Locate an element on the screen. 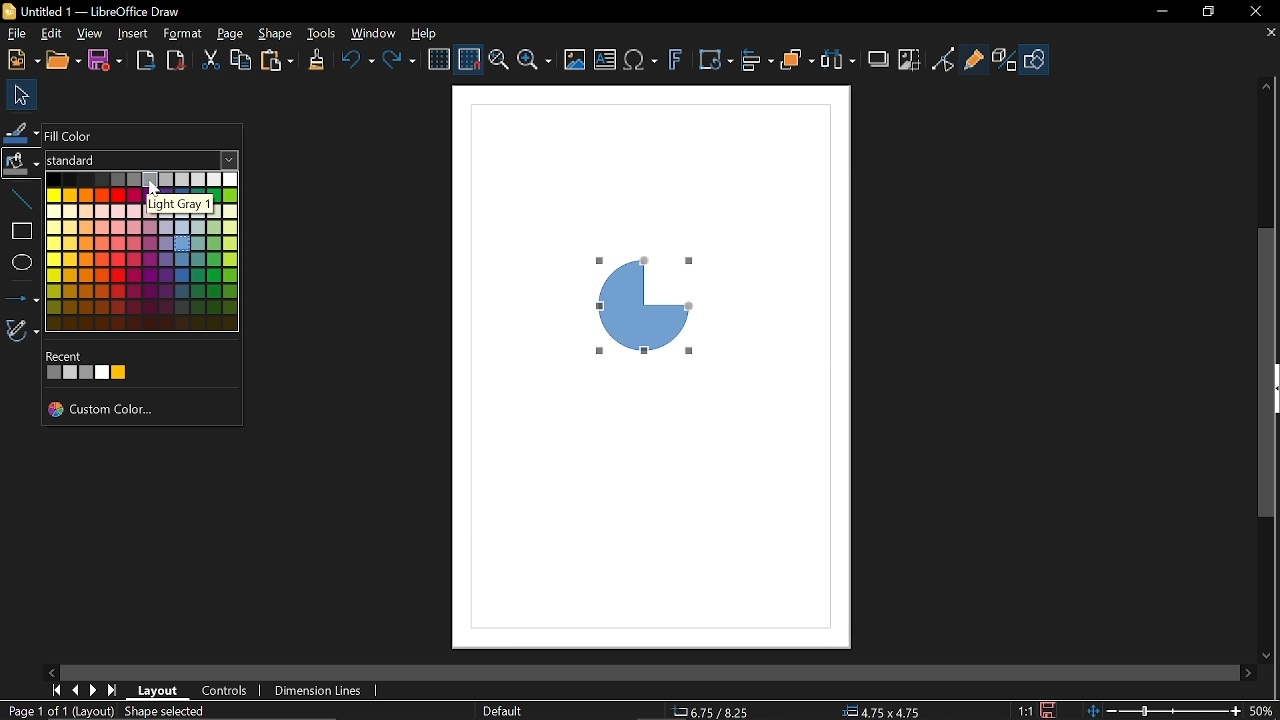  Insert image is located at coordinates (575, 59).